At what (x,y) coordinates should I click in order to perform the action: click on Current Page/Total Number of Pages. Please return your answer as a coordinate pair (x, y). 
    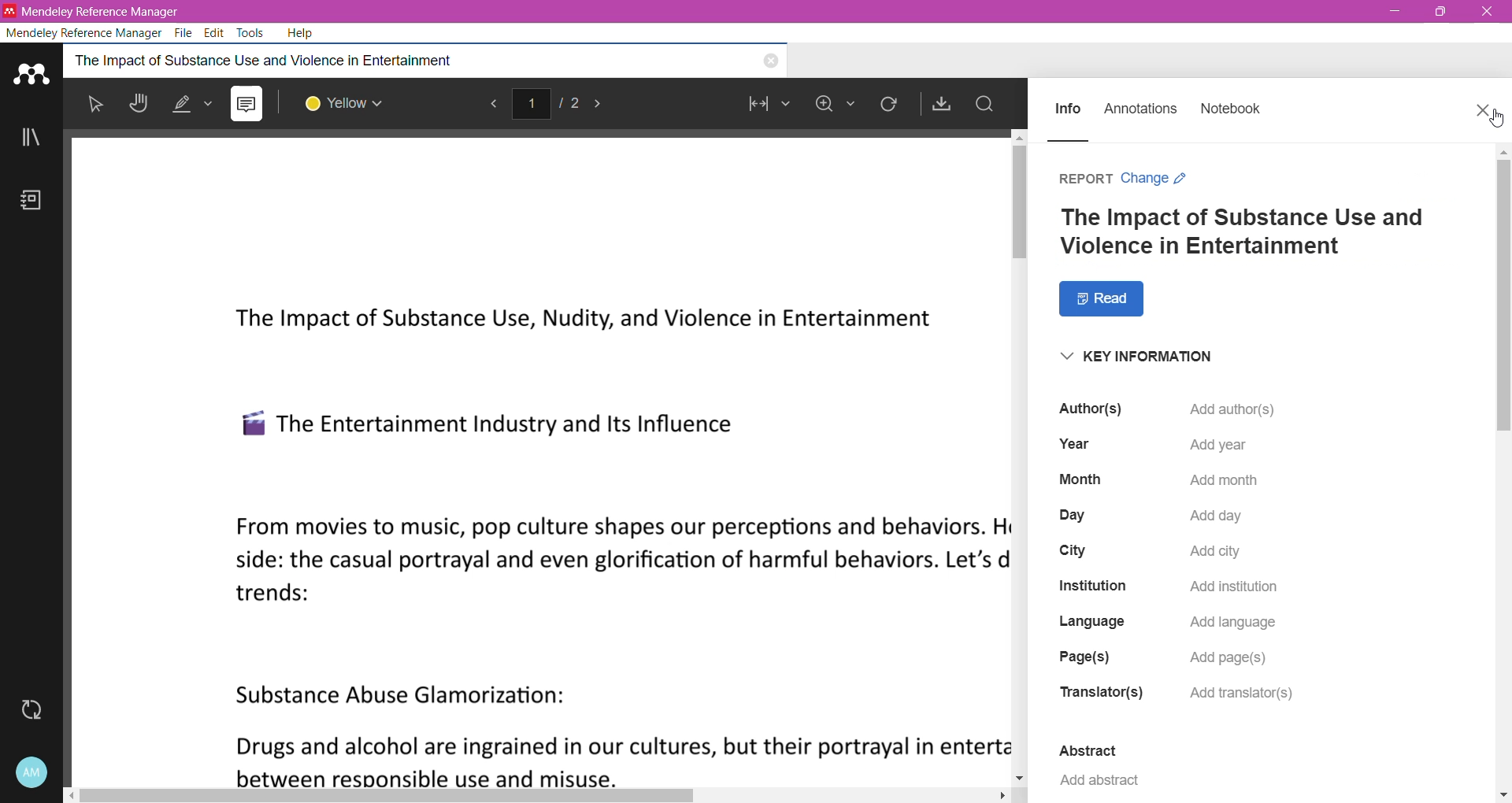
    Looking at the image, I should click on (547, 104).